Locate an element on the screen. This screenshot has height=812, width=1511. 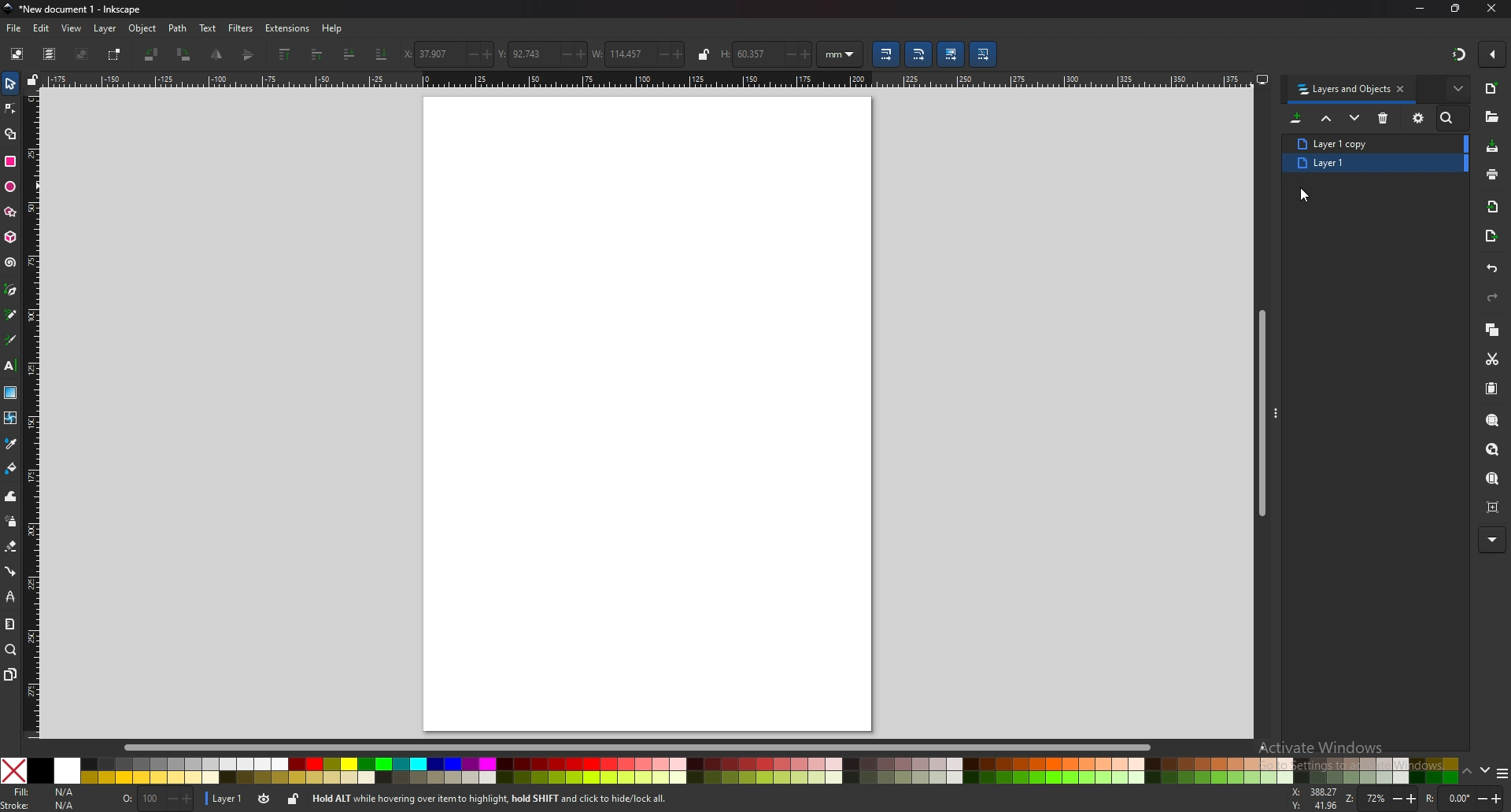
delete is located at coordinates (1384, 118).